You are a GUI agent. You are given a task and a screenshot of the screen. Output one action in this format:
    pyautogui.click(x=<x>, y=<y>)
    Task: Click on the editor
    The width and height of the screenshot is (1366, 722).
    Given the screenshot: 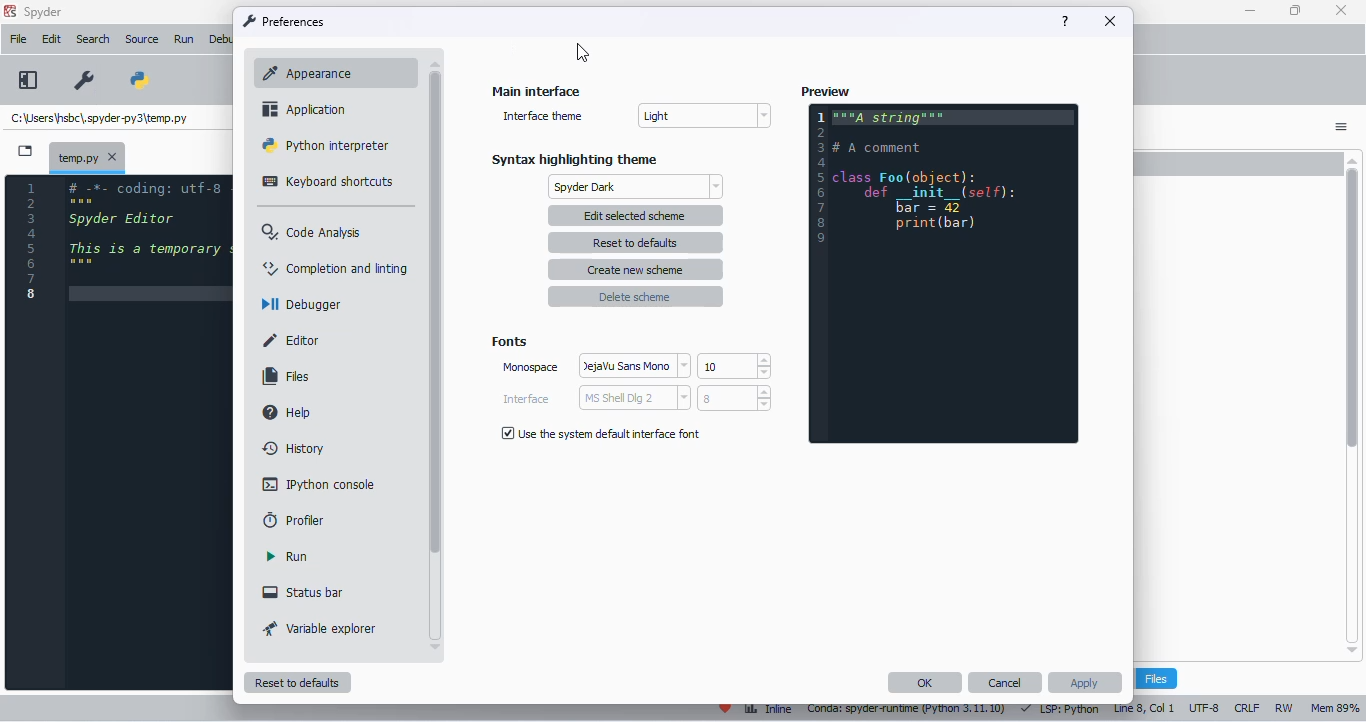 What is the action you would take?
    pyautogui.click(x=149, y=431)
    